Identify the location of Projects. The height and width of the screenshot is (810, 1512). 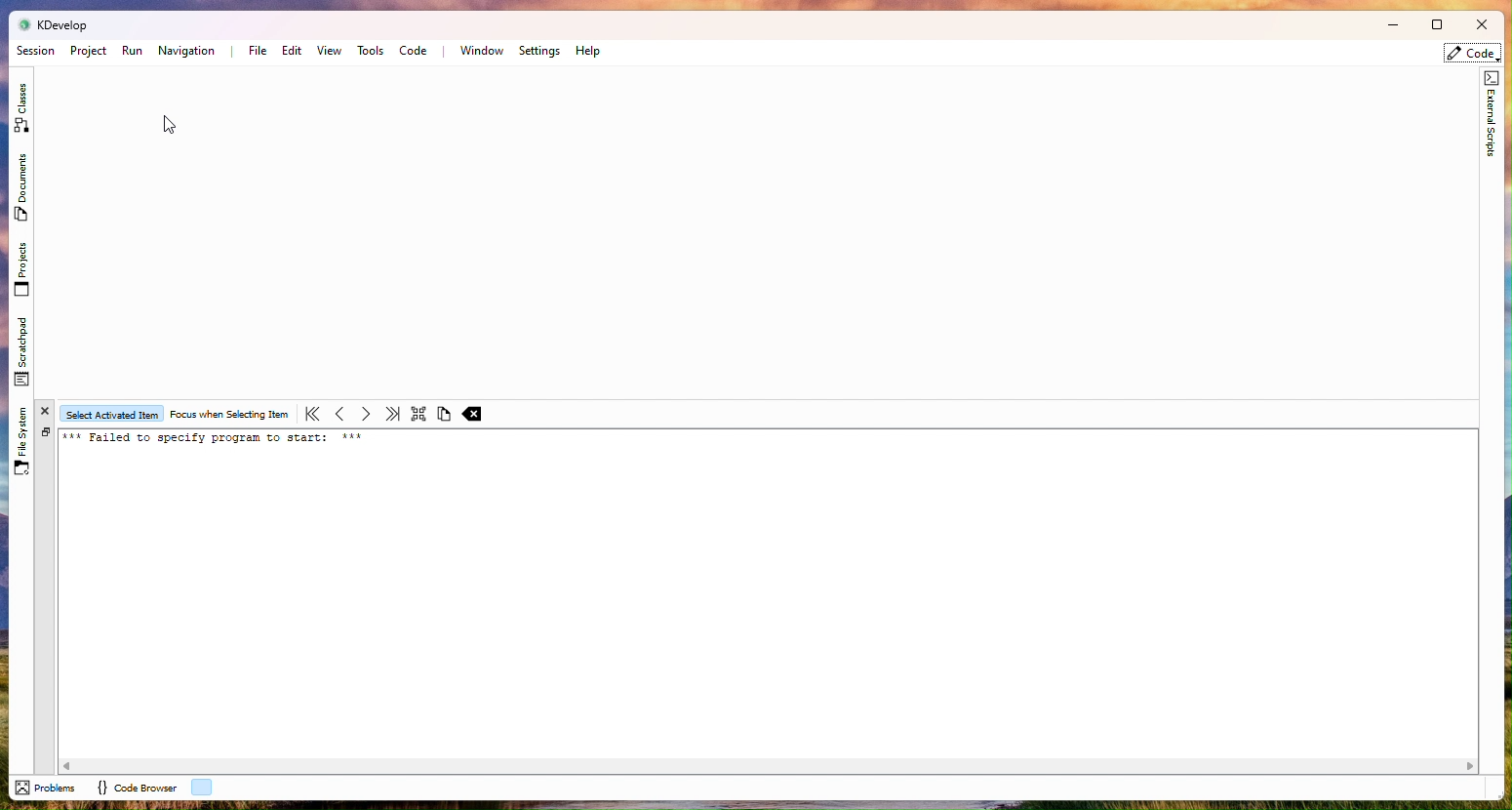
(21, 269).